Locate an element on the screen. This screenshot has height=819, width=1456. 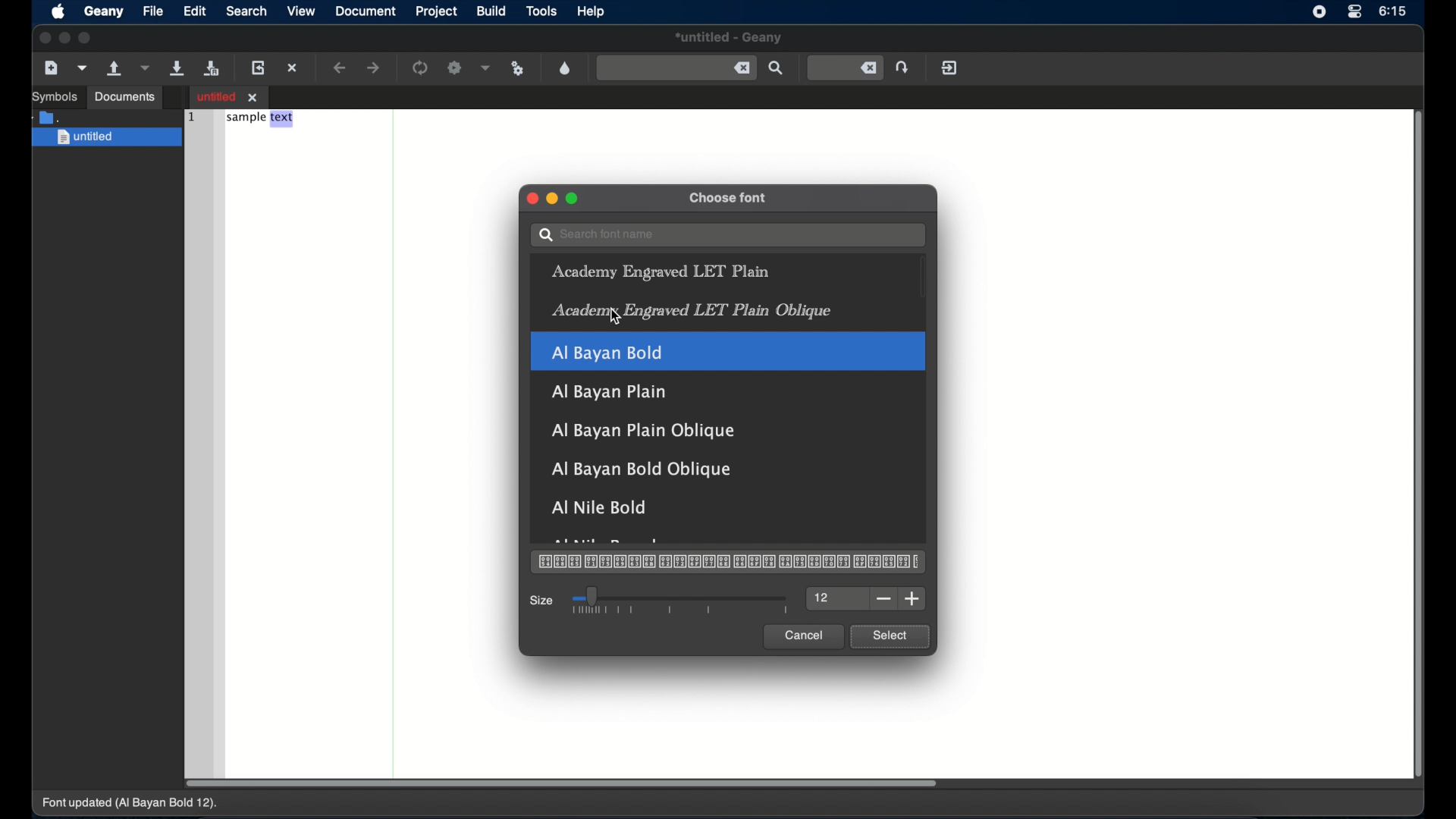
navigate forward a location is located at coordinates (375, 67).